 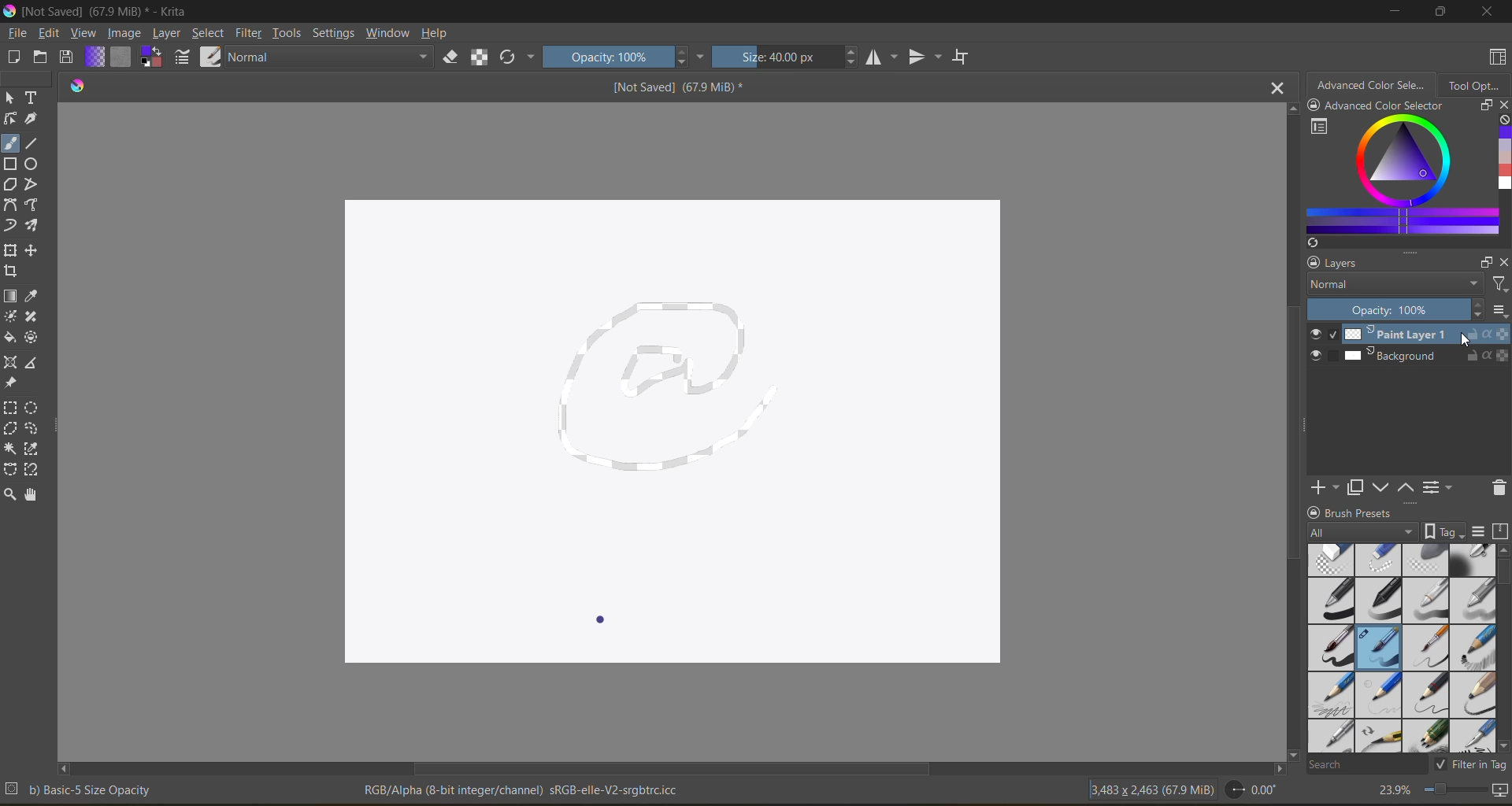 What do you see at coordinates (49, 33) in the screenshot?
I see `edit` at bounding box center [49, 33].